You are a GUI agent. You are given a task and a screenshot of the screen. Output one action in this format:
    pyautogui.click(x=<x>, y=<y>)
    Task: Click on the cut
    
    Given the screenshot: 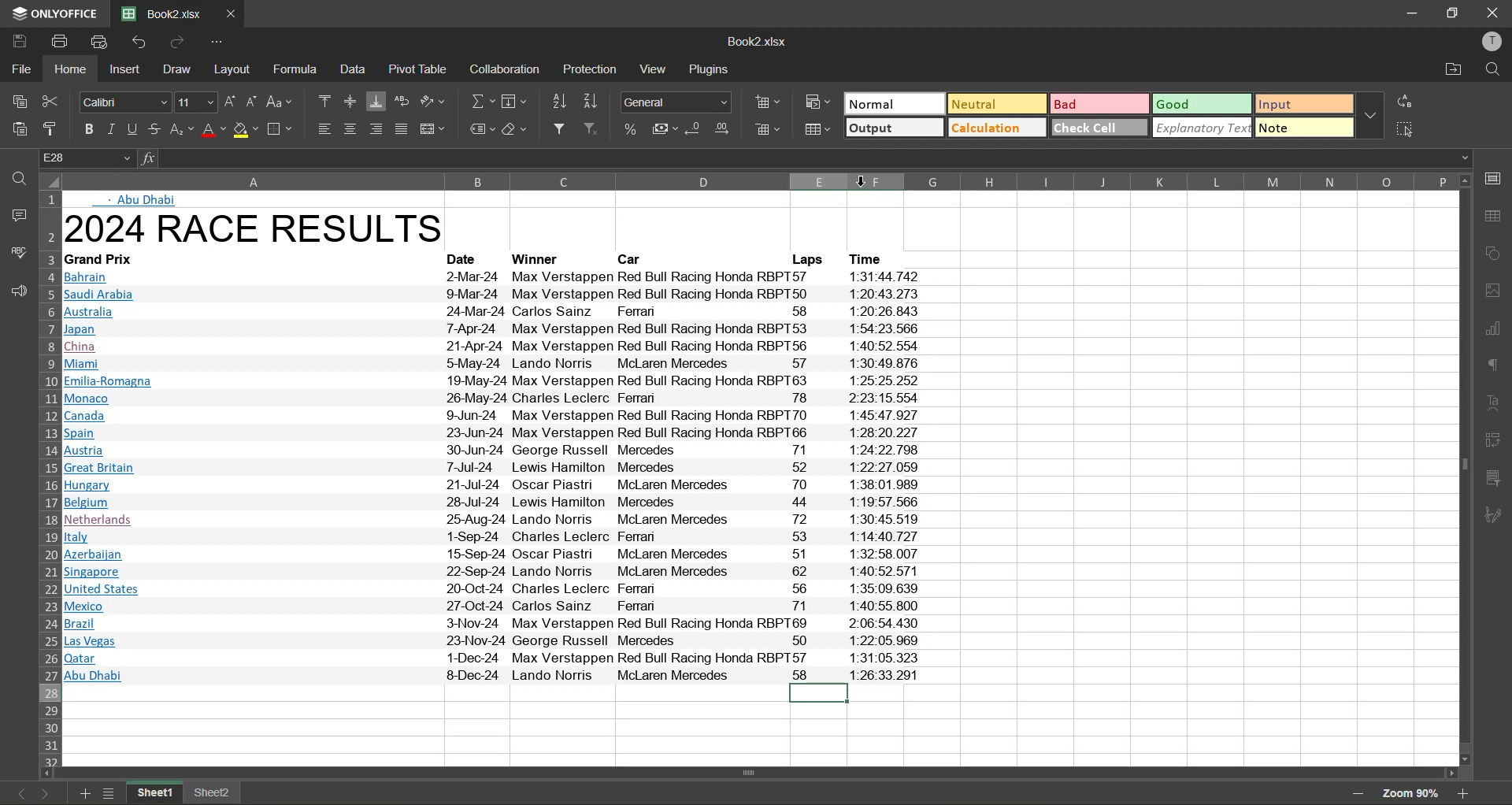 What is the action you would take?
    pyautogui.click(x=53, y=104)
    